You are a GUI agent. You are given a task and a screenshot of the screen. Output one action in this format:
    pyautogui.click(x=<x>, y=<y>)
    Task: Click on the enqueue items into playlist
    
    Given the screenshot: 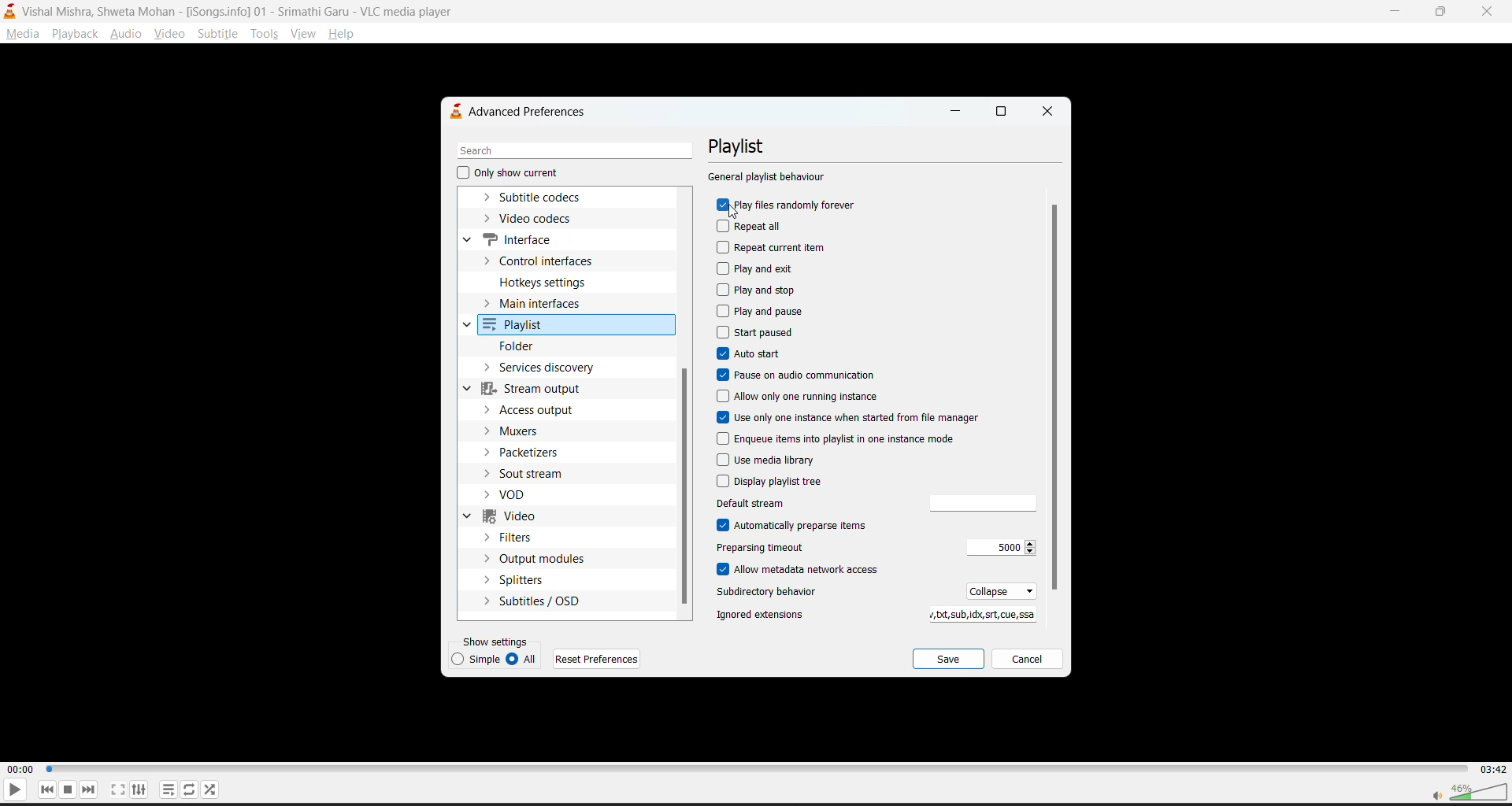 What is the action you would take?
    pyautogui.click(x=835, y=439)
    